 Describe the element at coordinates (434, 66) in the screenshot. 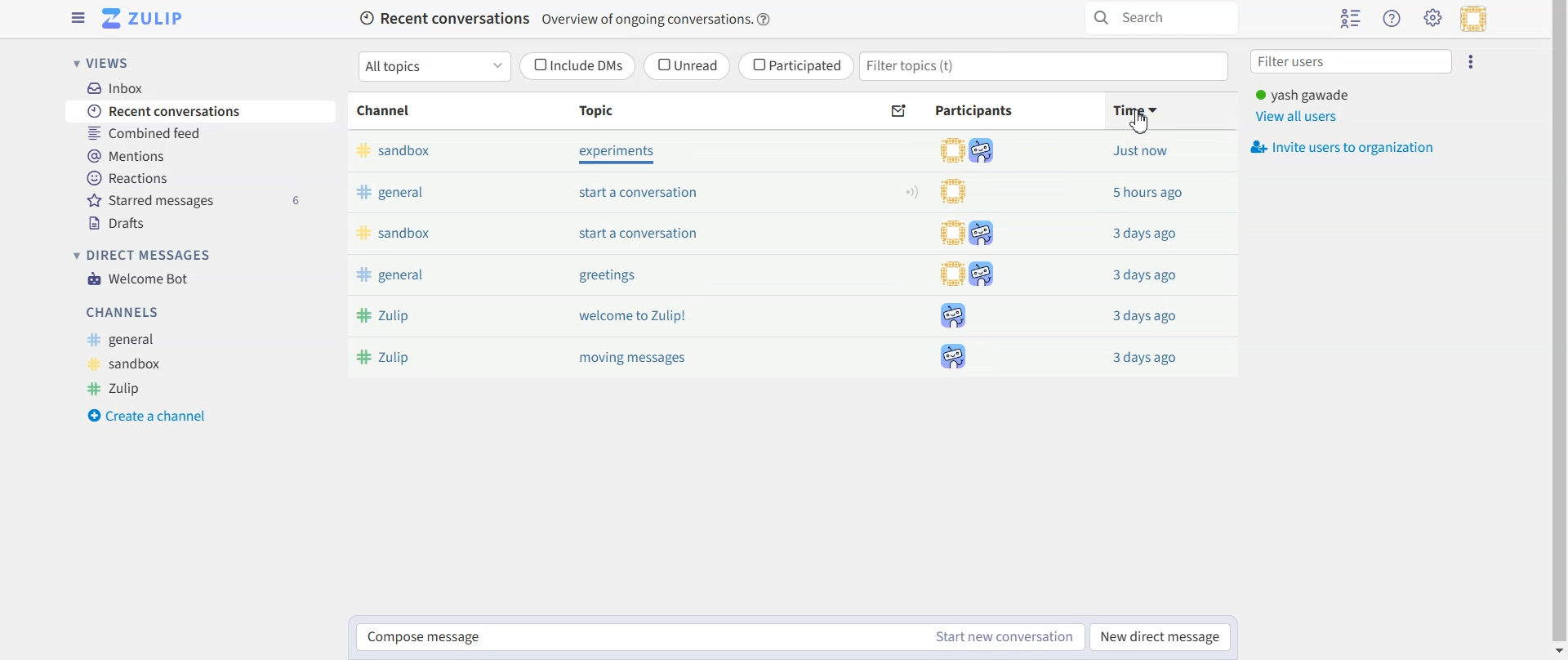

I see `All topics` at that location.